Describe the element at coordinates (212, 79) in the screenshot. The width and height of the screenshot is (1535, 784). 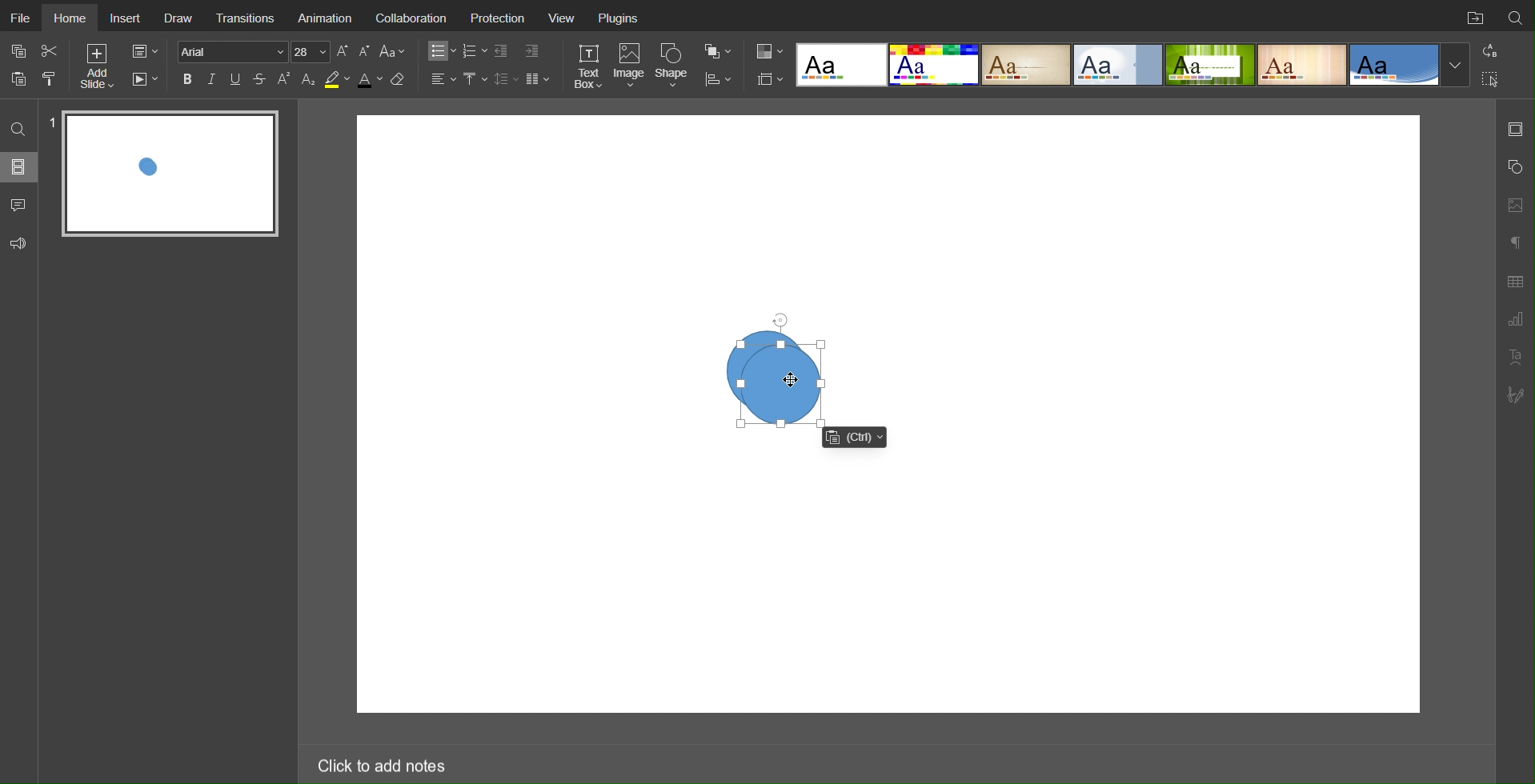
I see `Italics` at that location.